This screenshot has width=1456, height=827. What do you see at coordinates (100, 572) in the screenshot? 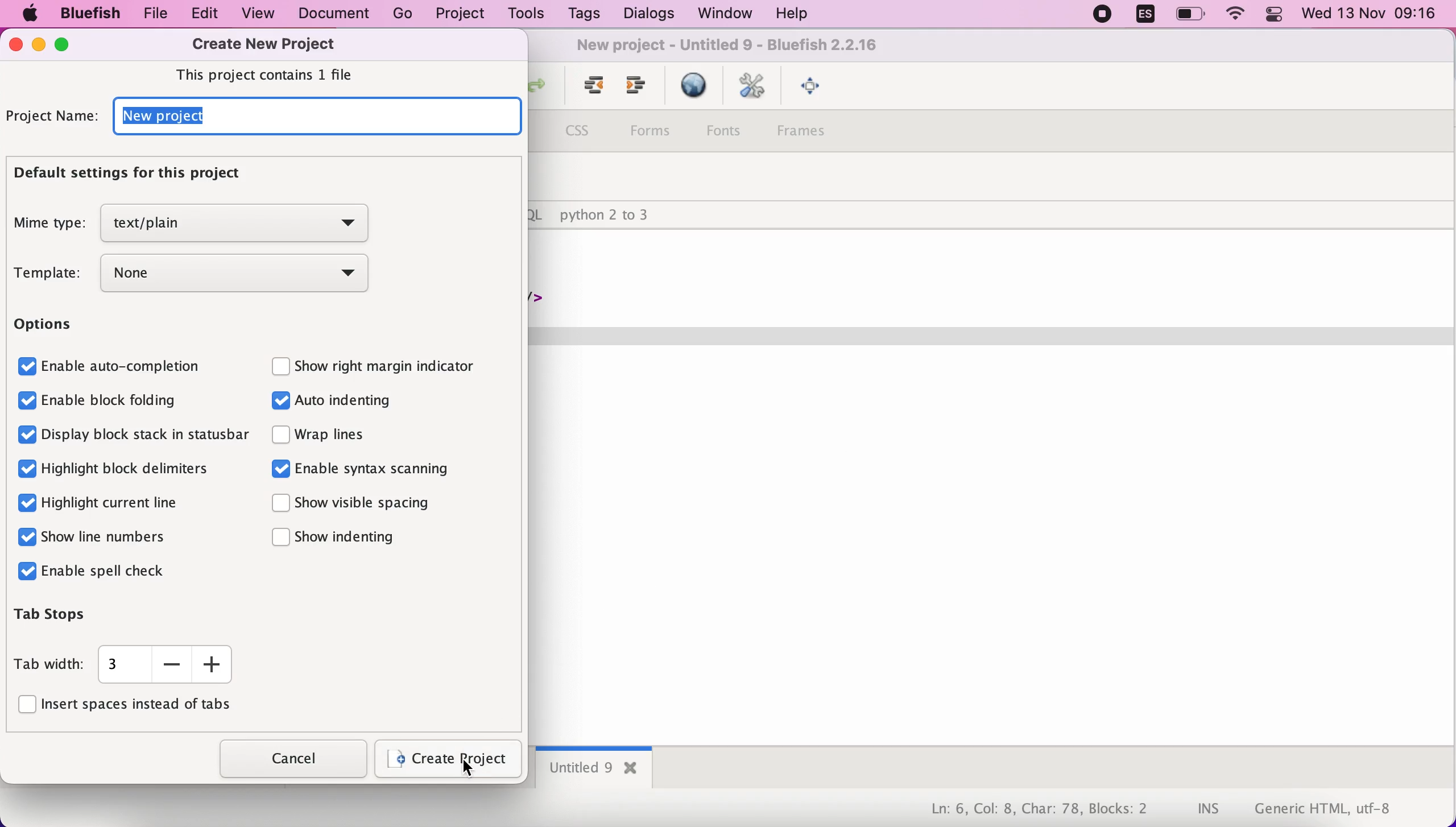
I see `enable spell check` at bounding box center [100, 572].